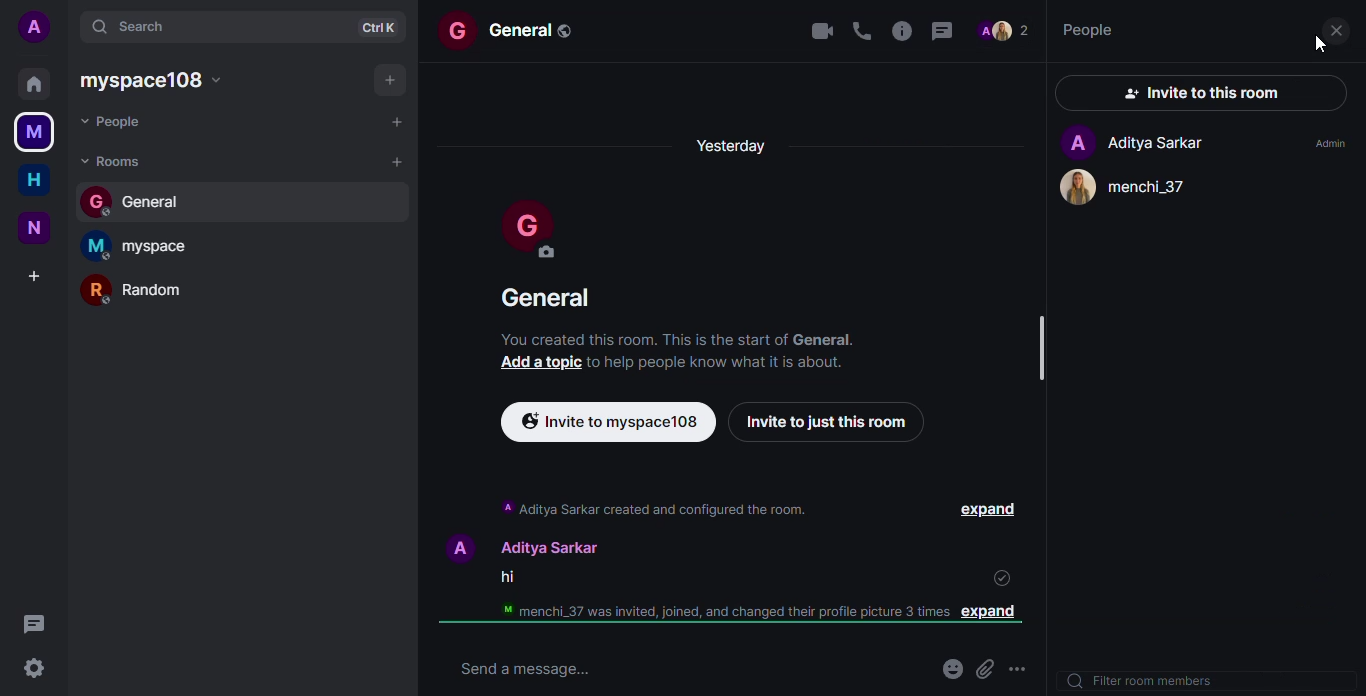 This screenshot has width=1366, height=696. What do you see at coordinates (114, 123) in the screenshot?
I see `people` at bounding box center [114, 123].